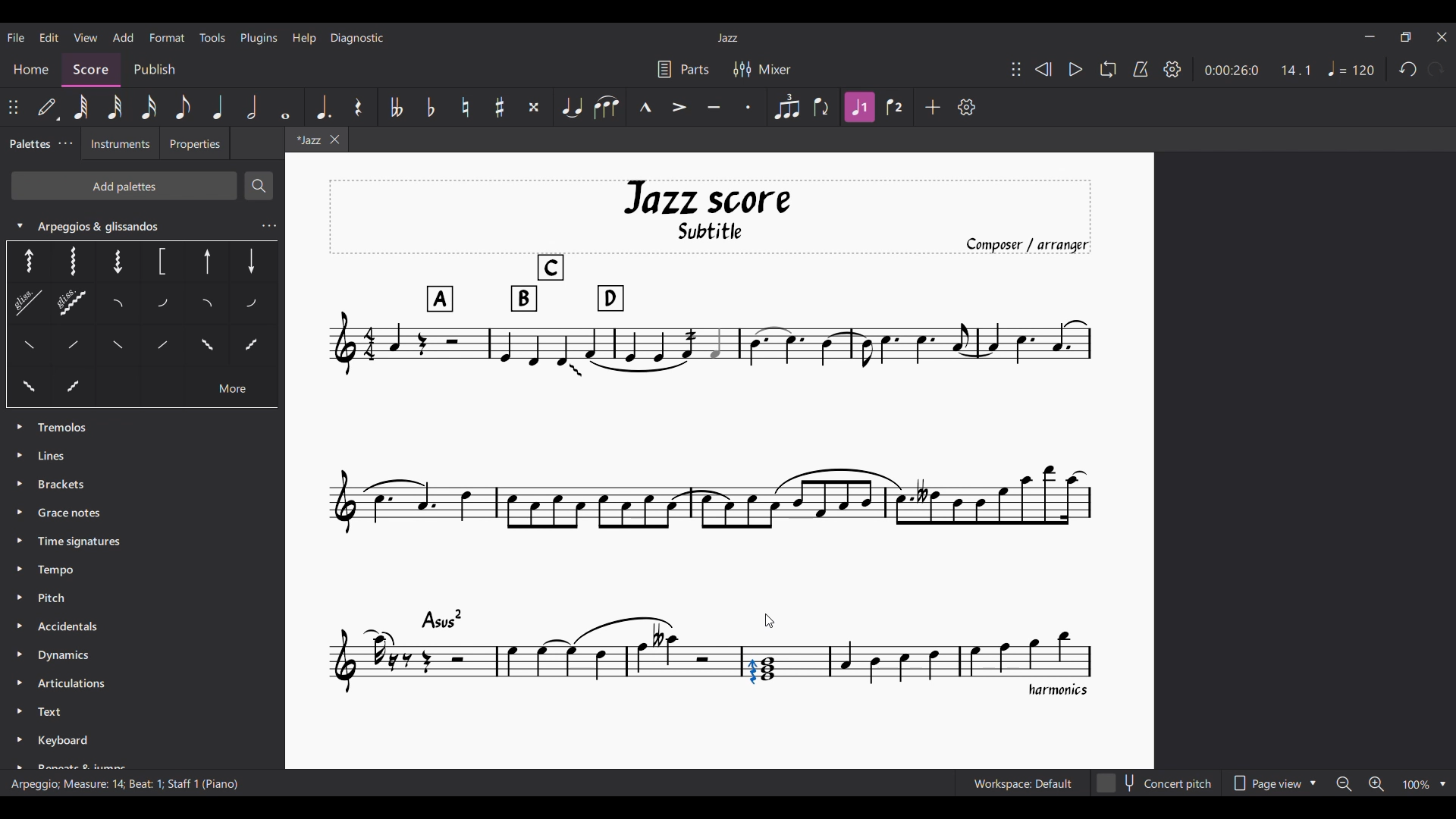 The image size is (1456, 819). I want to click on , so click(86, 384).